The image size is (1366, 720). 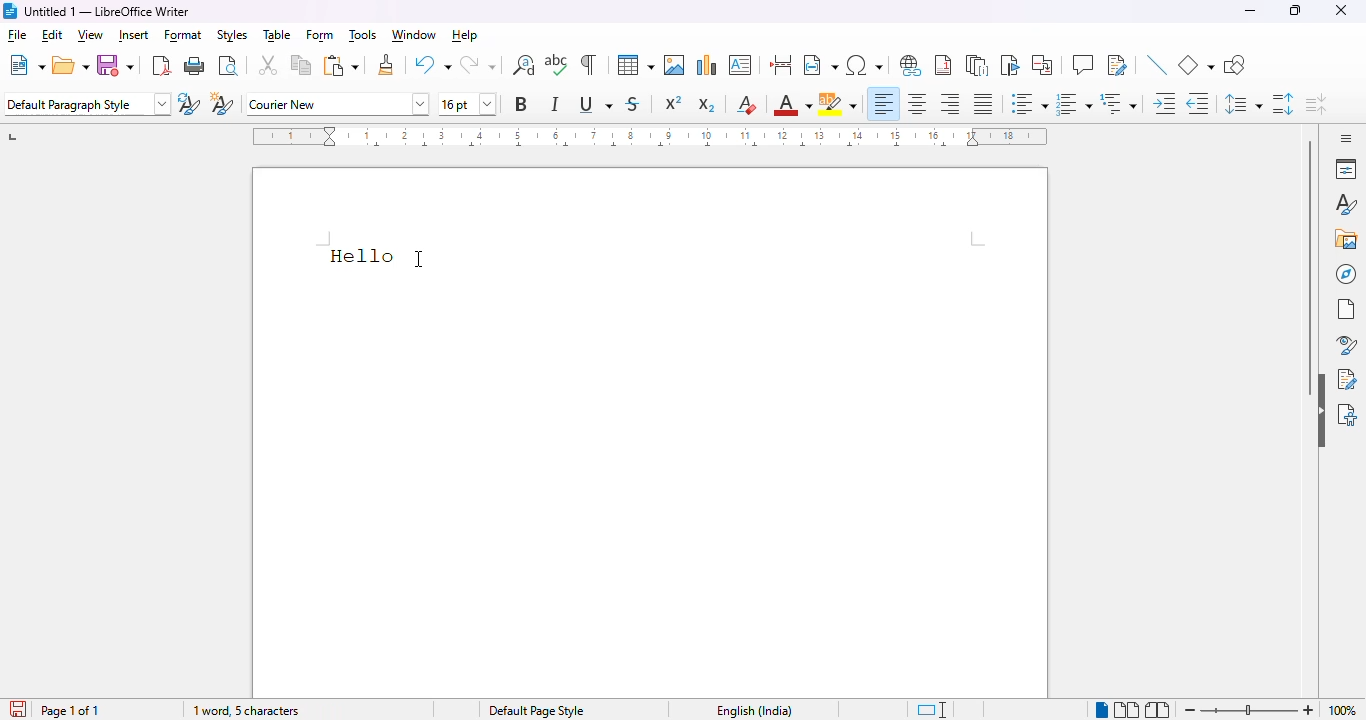 I want to click on print, so click(x=195, y=66).